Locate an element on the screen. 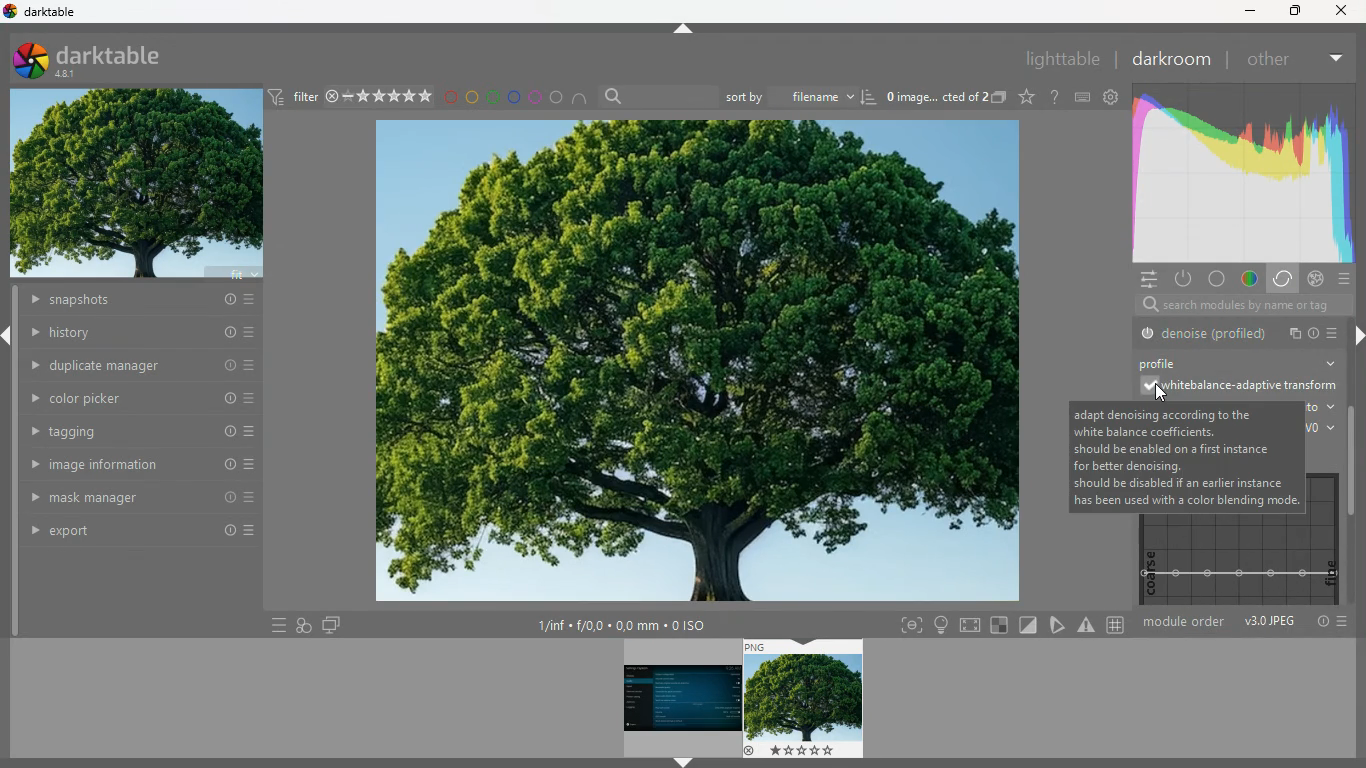 Image resolution: width=1366 pixels, height=768 pixels. color is located at coordinates (1219, 279).